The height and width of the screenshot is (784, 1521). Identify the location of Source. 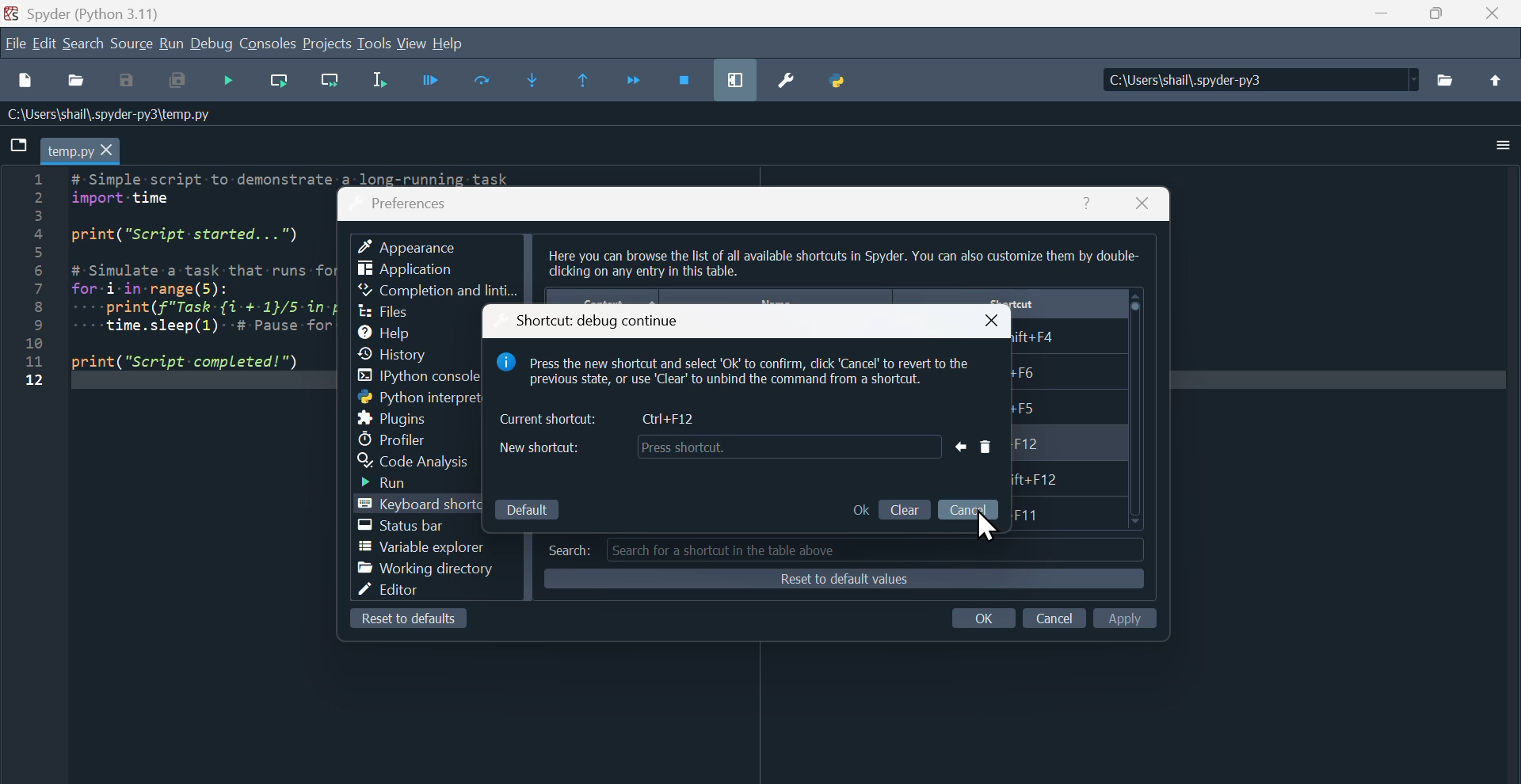
(132, 45).